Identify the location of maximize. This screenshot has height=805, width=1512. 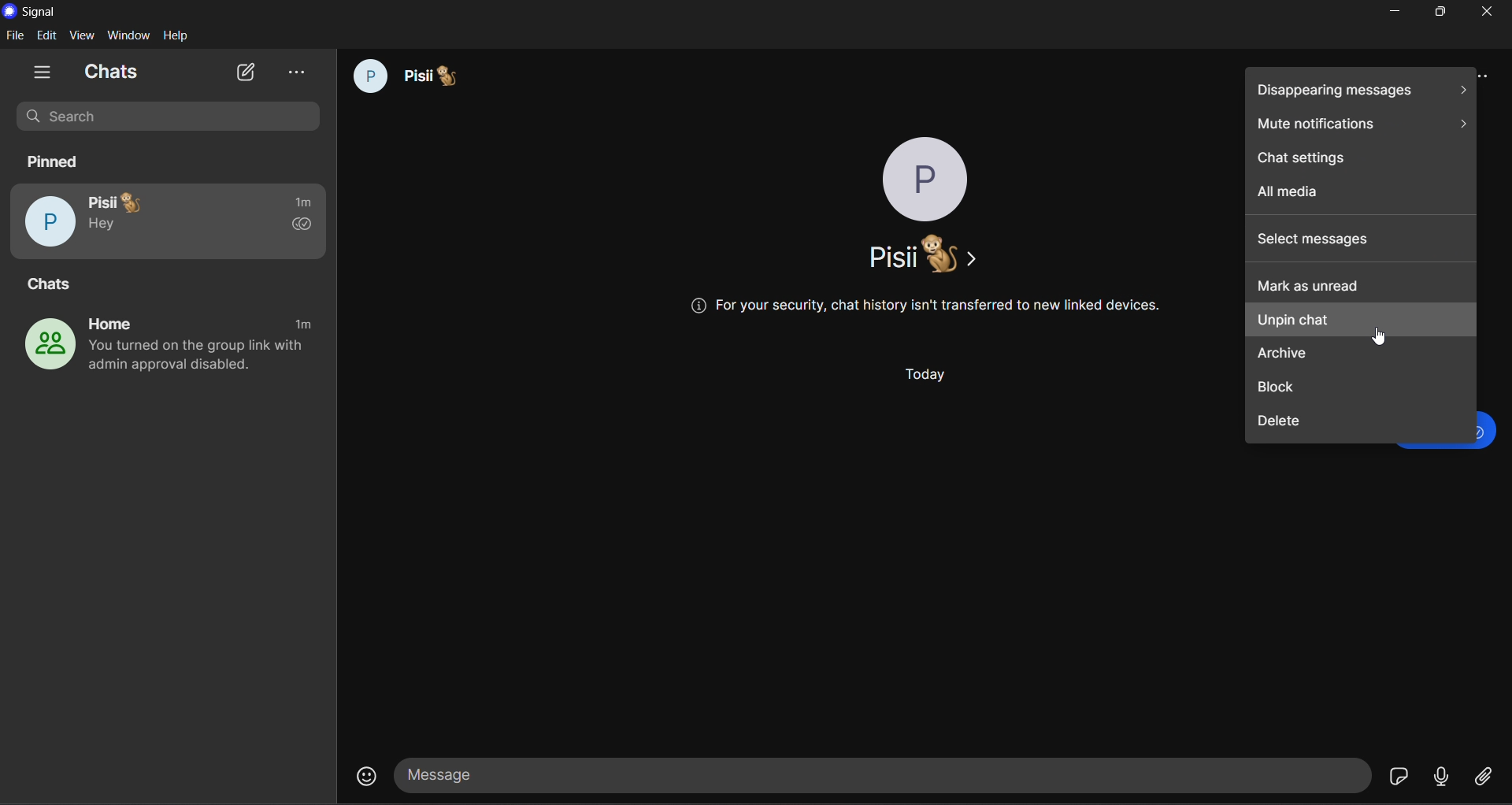
(1445, 13).